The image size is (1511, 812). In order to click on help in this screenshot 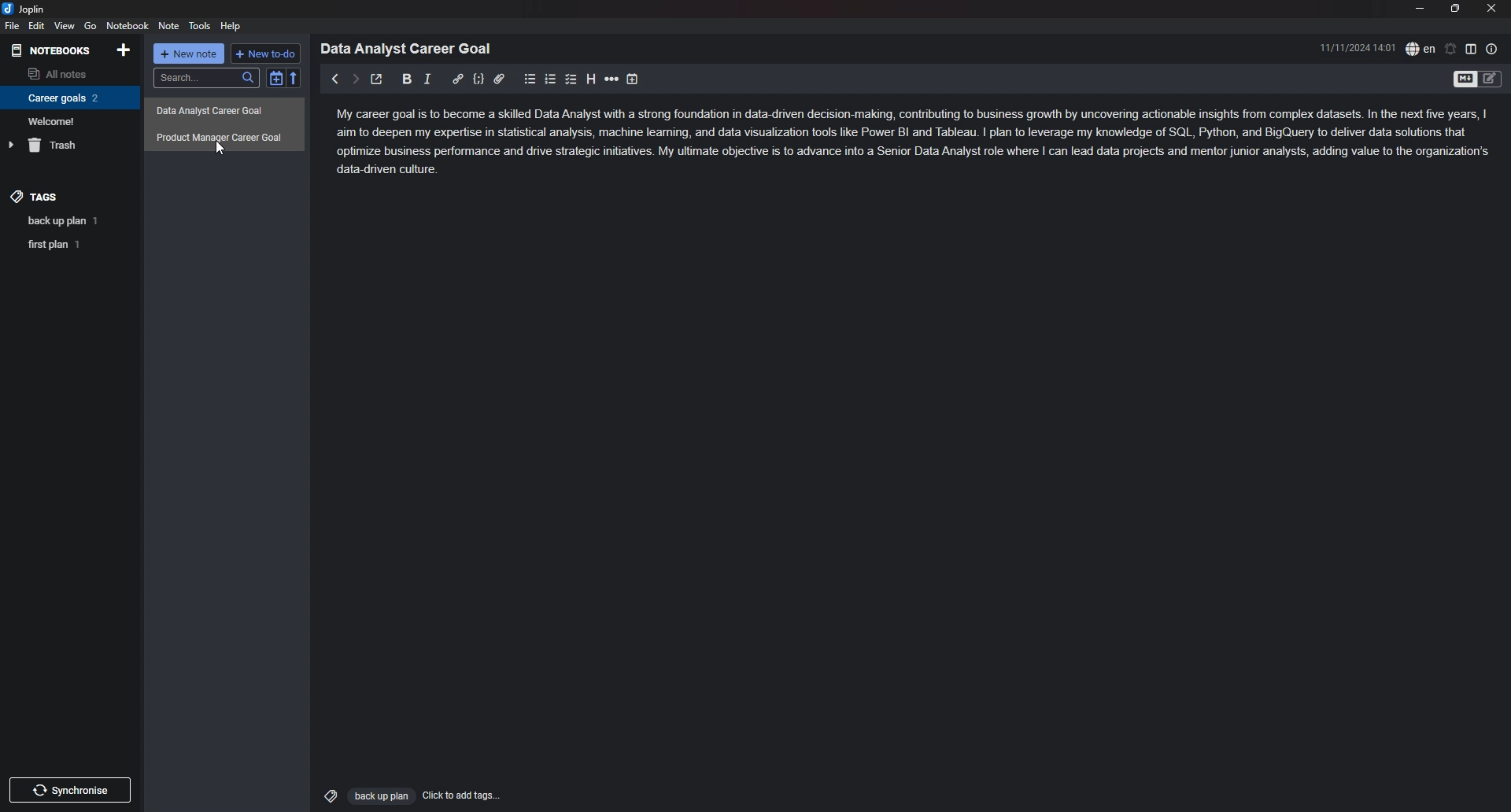, I will do `click(231, 27)`.